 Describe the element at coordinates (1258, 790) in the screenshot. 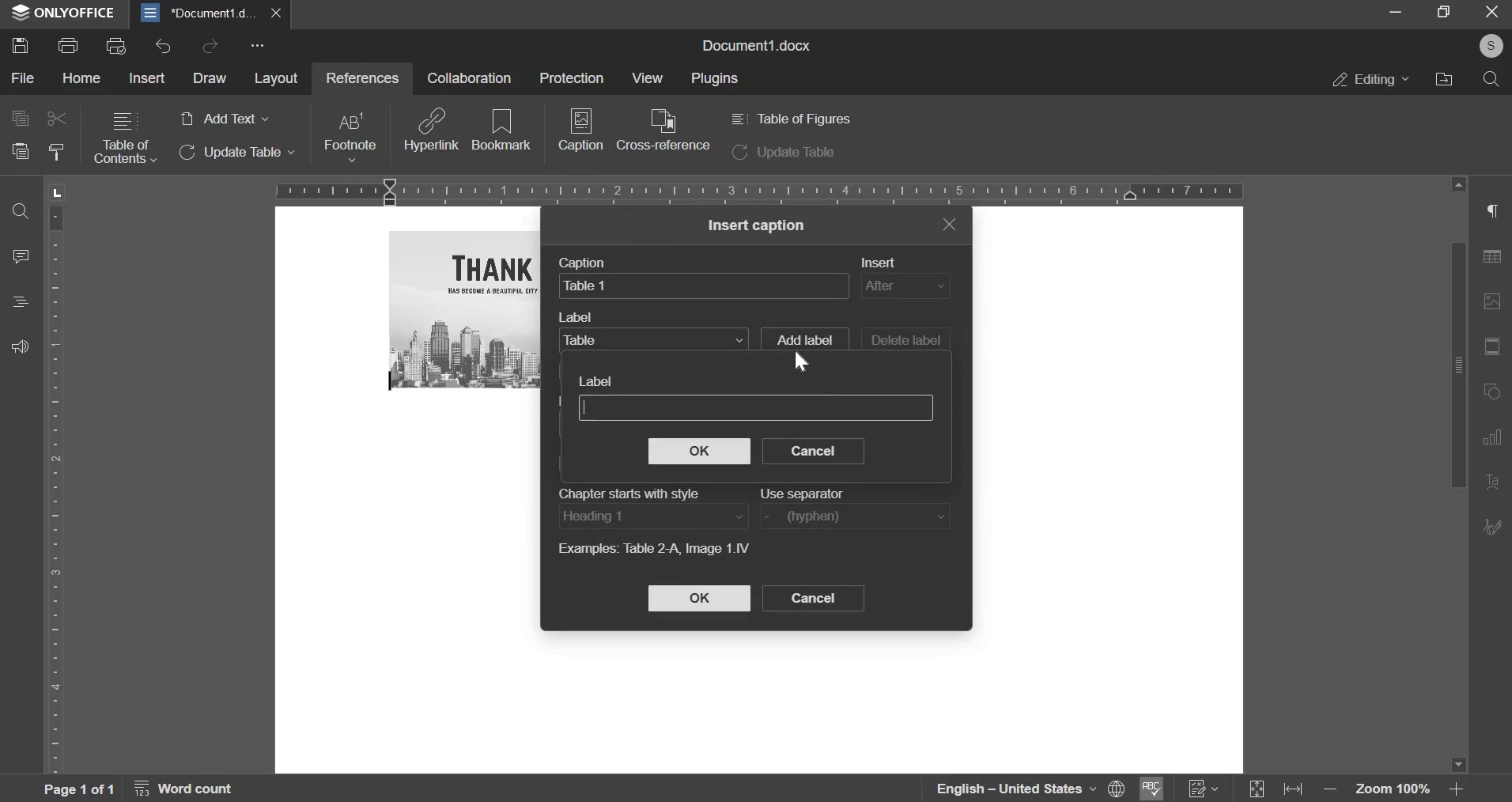

I see `Expand` at that location.